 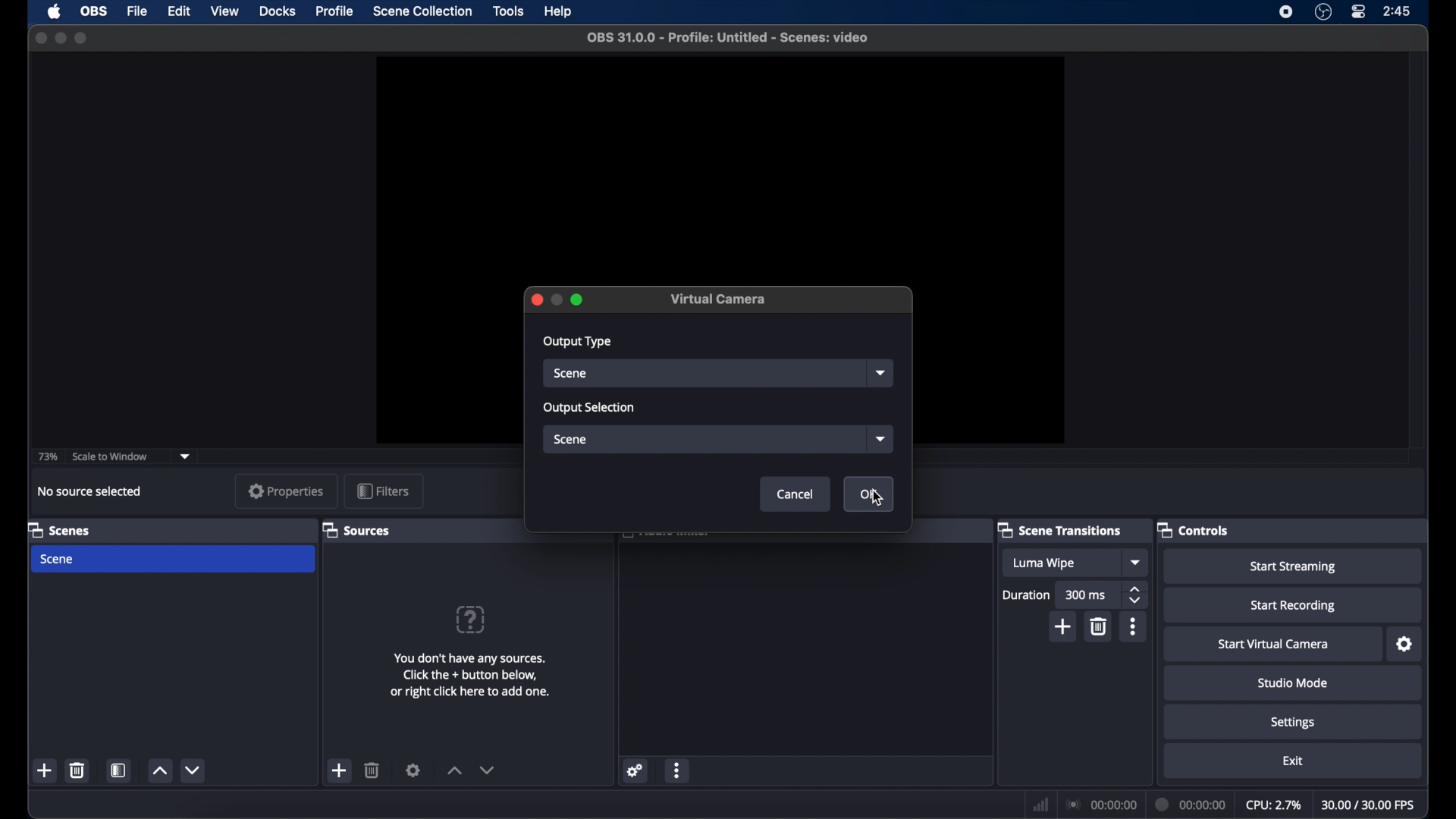 What do you see at coordinates (1323, 12) in the screenshot?
I see `obs studio` at bounding box center [1323, 12].